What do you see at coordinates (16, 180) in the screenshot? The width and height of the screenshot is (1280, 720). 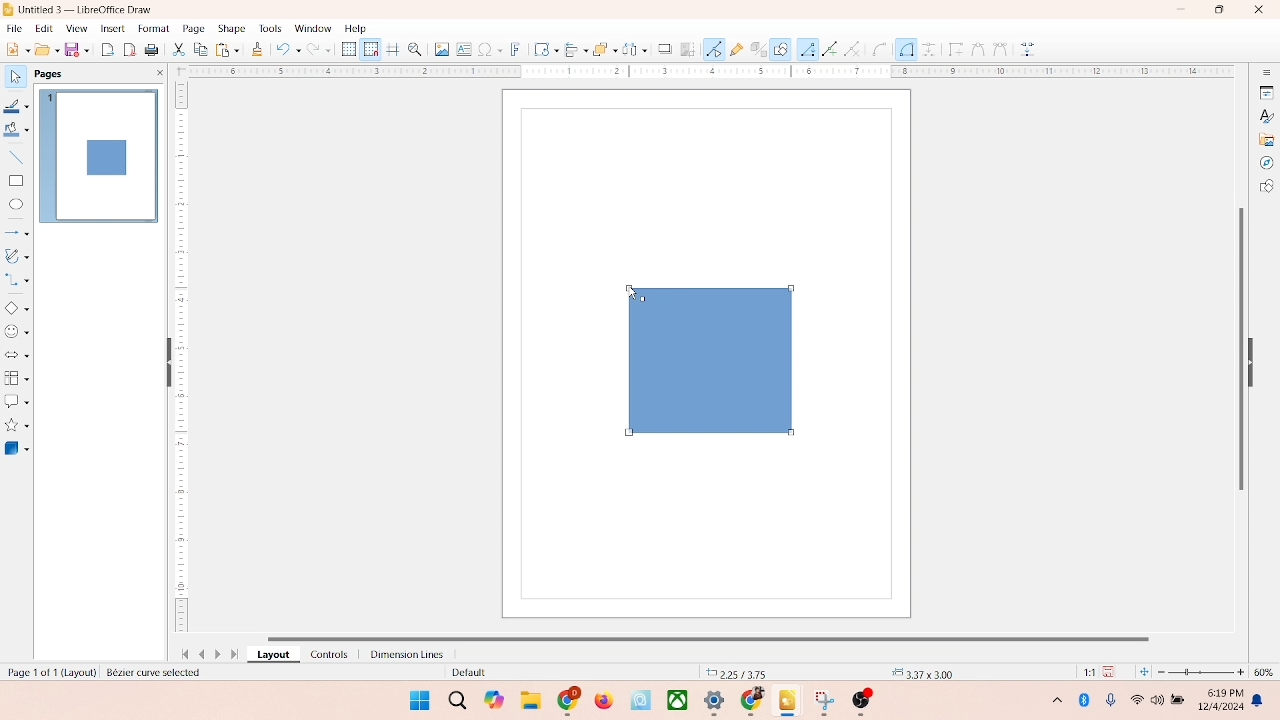 I see `rectangle` at bounding box center [16, 180].